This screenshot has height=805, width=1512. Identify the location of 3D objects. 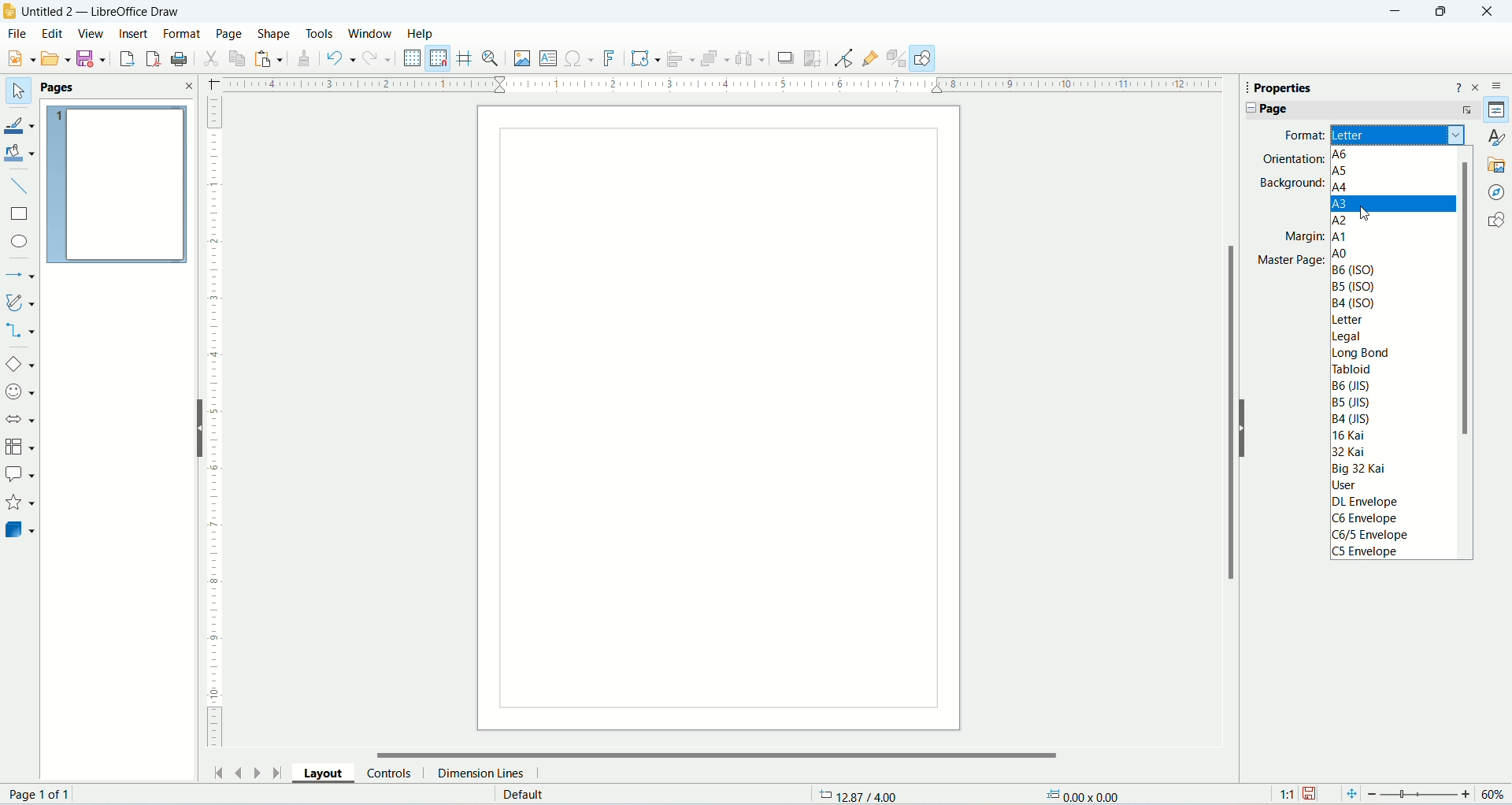
(20, 532).